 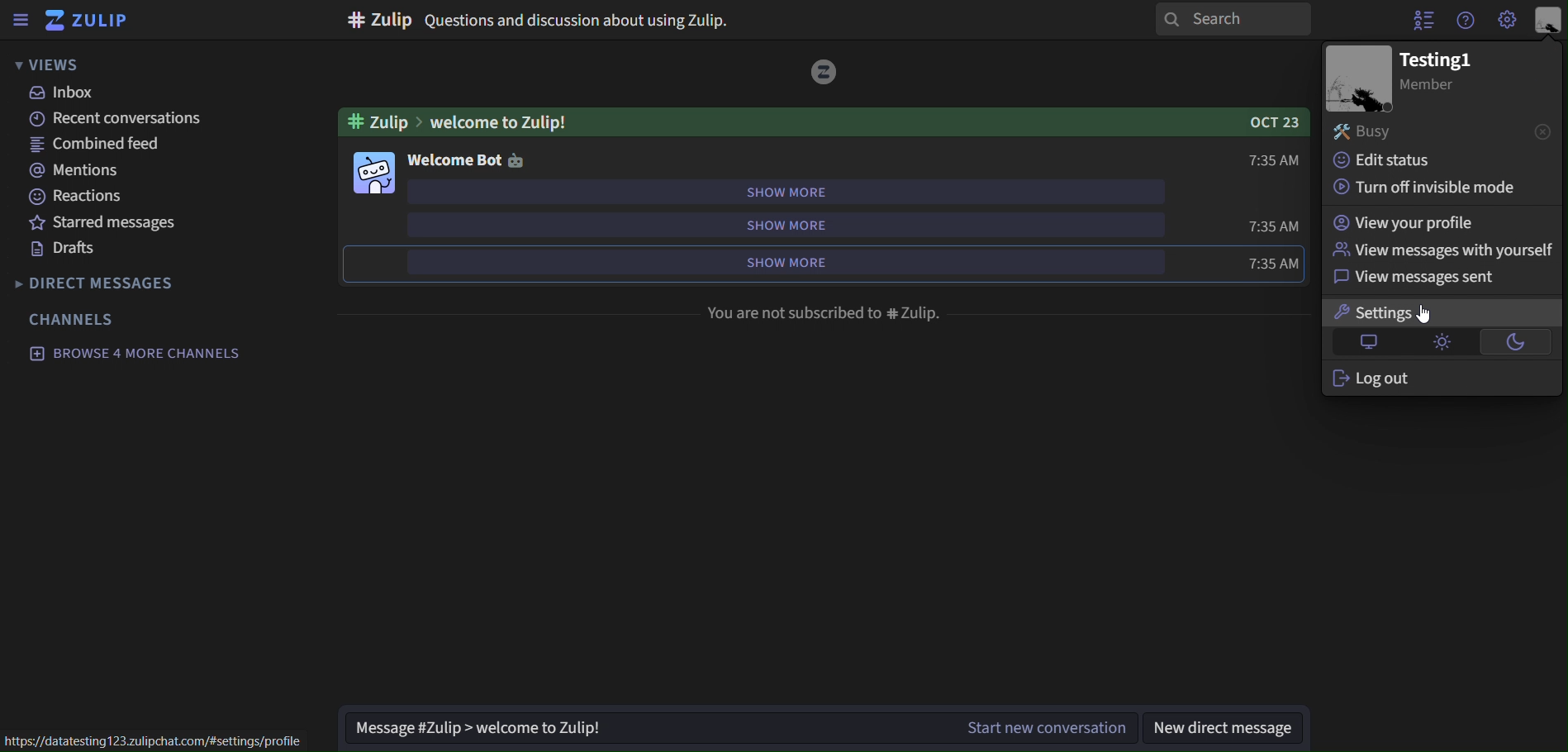 What do you see at coordinates (89, 18) in the screenshot?
I see `zulip` at bounding box center [89, 18].